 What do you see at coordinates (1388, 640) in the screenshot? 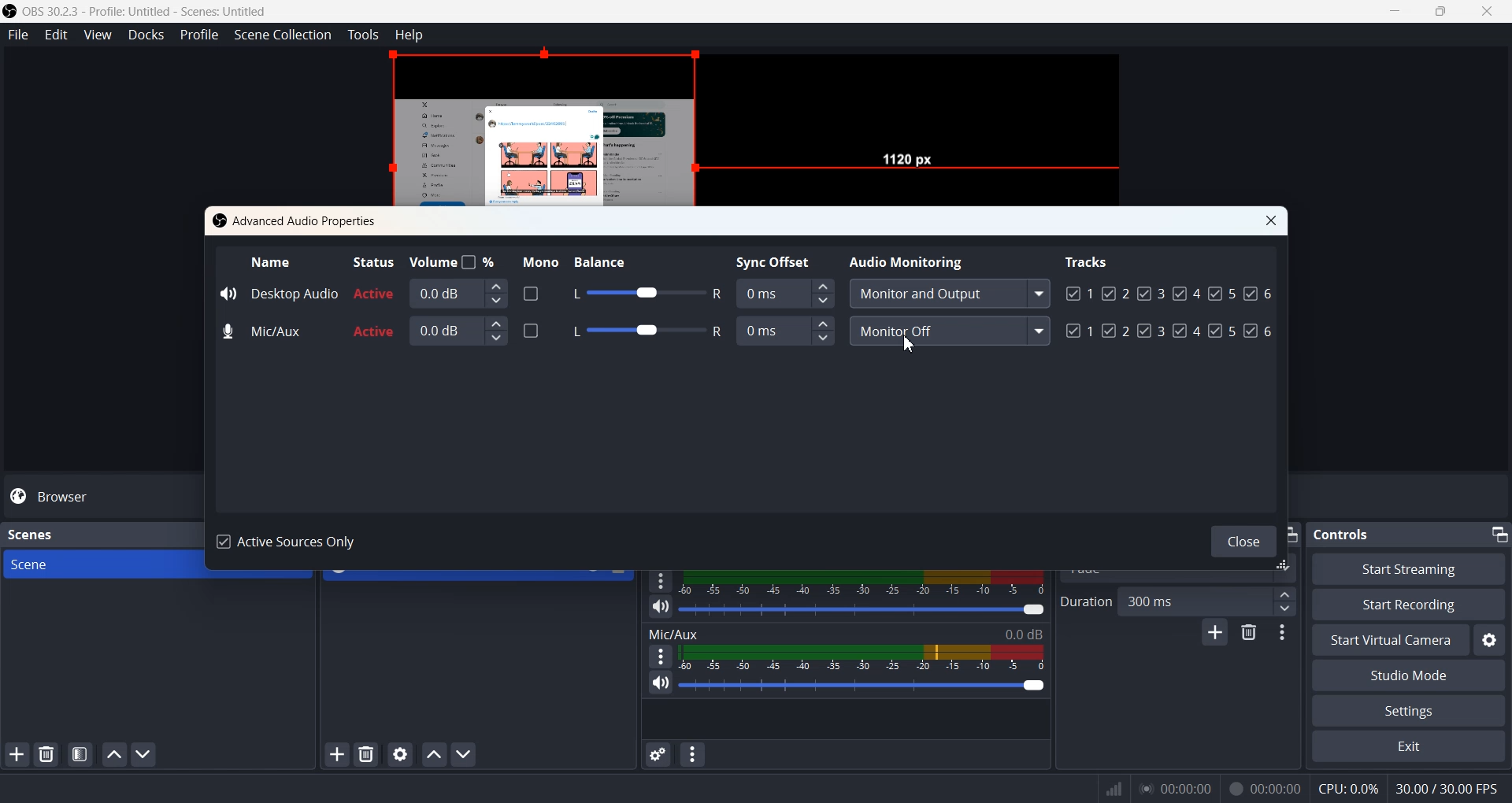
I see `Start Virtual Camera` at bounding box center [1388, 640].